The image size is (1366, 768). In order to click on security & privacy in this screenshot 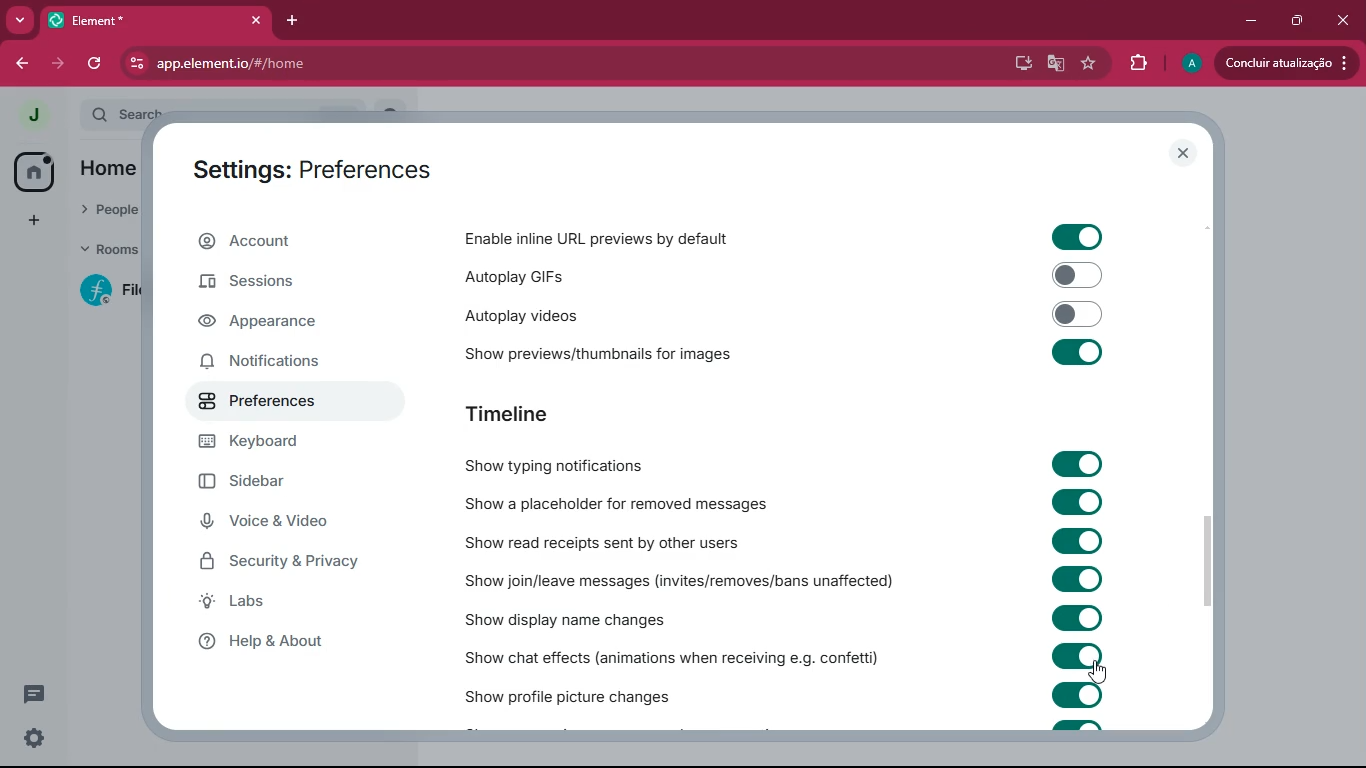, I will do `click(291, 562)`.